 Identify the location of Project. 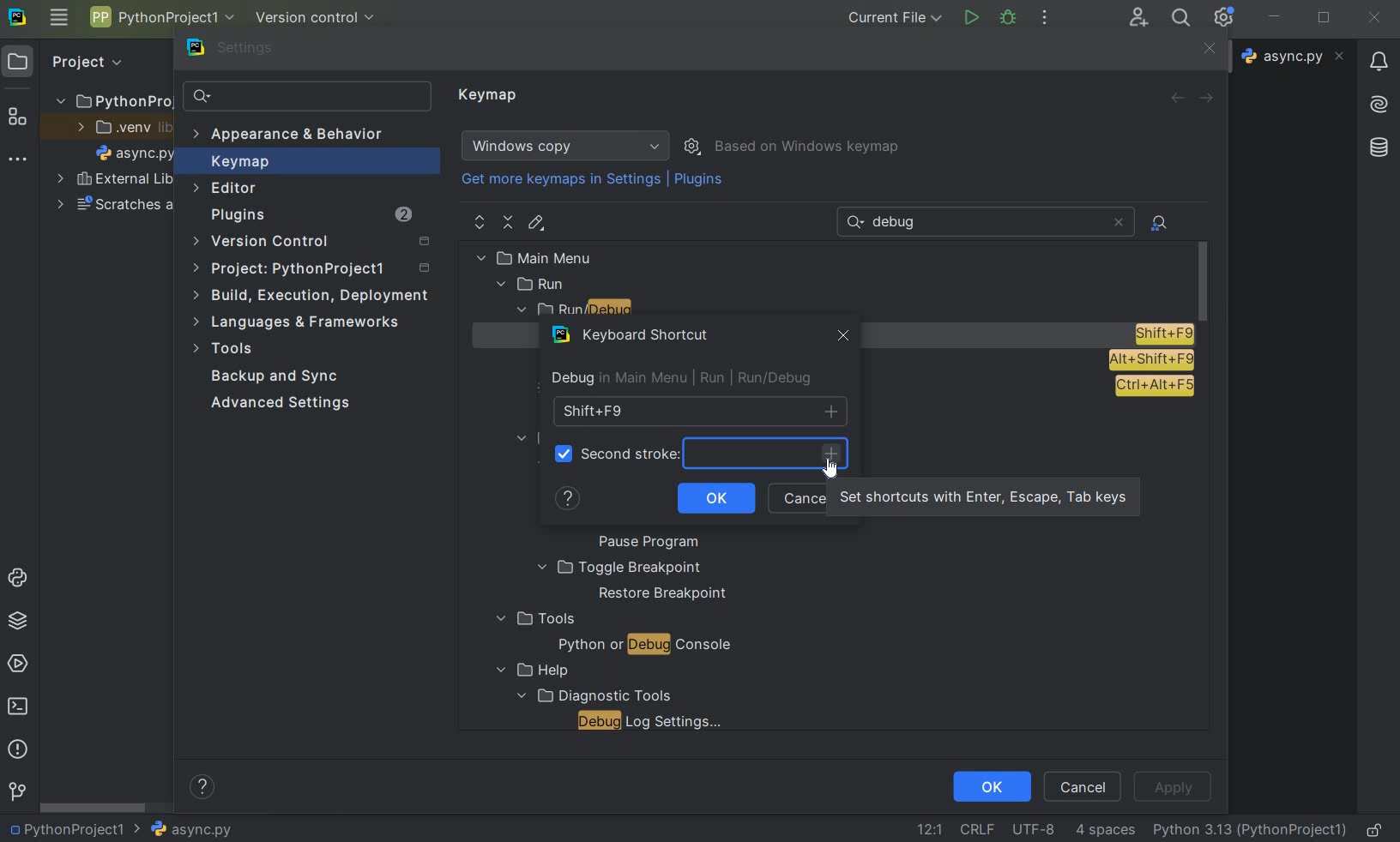
(85, 60).